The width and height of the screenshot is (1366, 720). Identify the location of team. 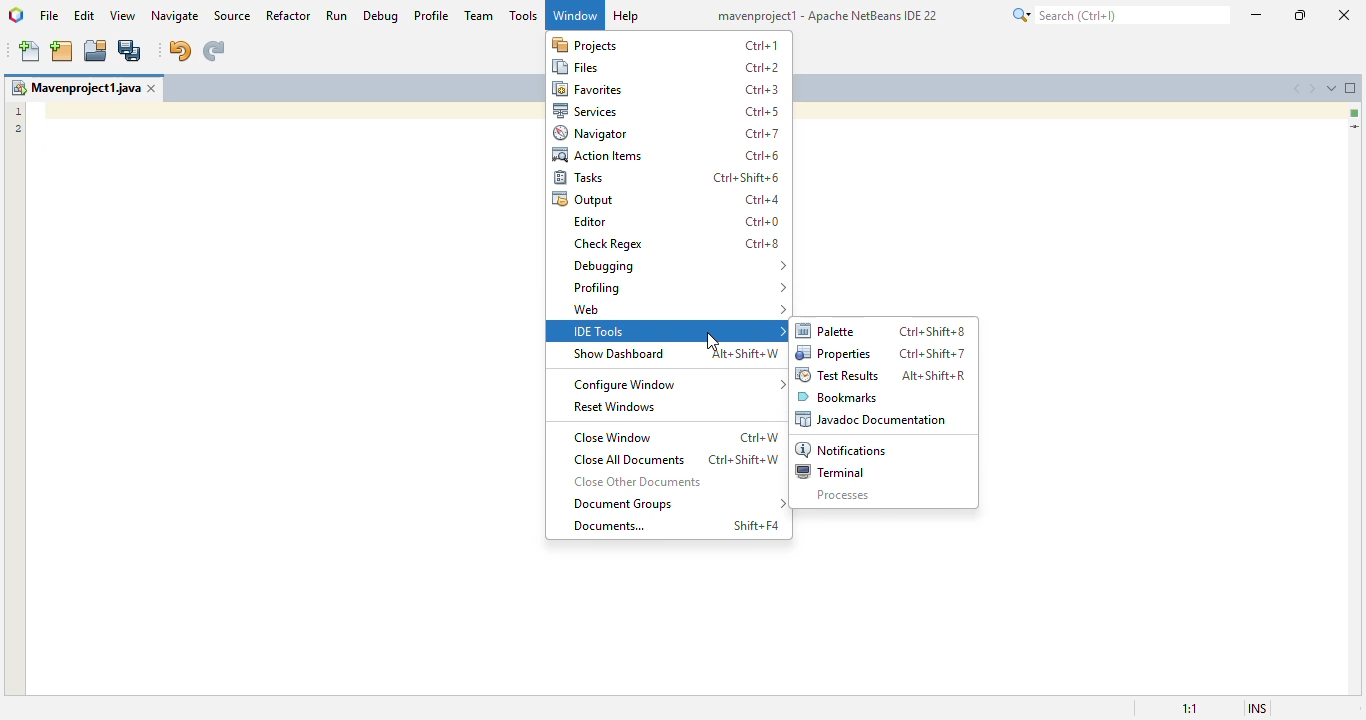
(479, 15).